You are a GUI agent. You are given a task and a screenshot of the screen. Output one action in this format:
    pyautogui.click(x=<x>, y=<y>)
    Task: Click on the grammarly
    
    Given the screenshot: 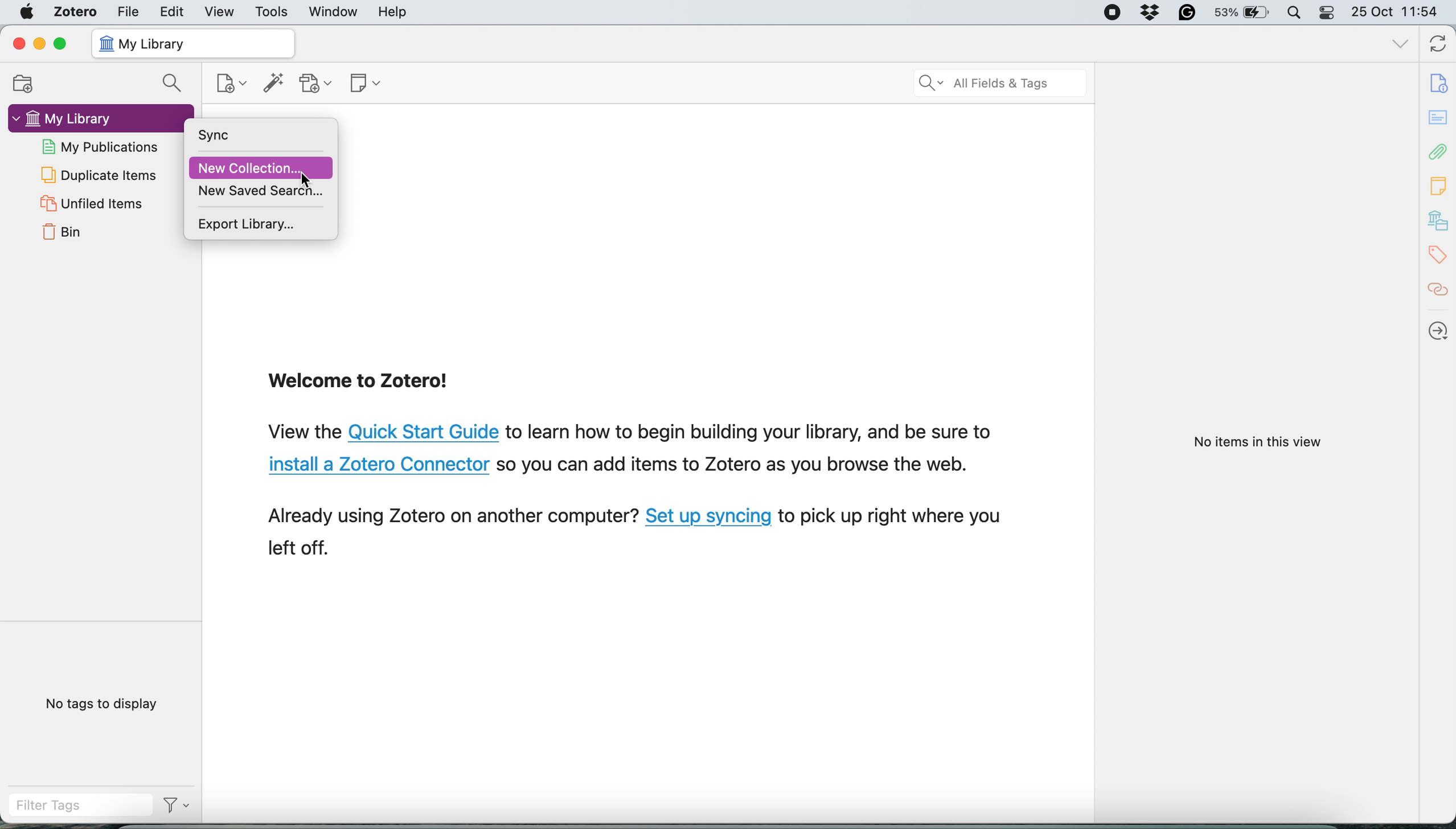 What is the action you would take?
    pyautogui.click(x=1187, y=13)
    